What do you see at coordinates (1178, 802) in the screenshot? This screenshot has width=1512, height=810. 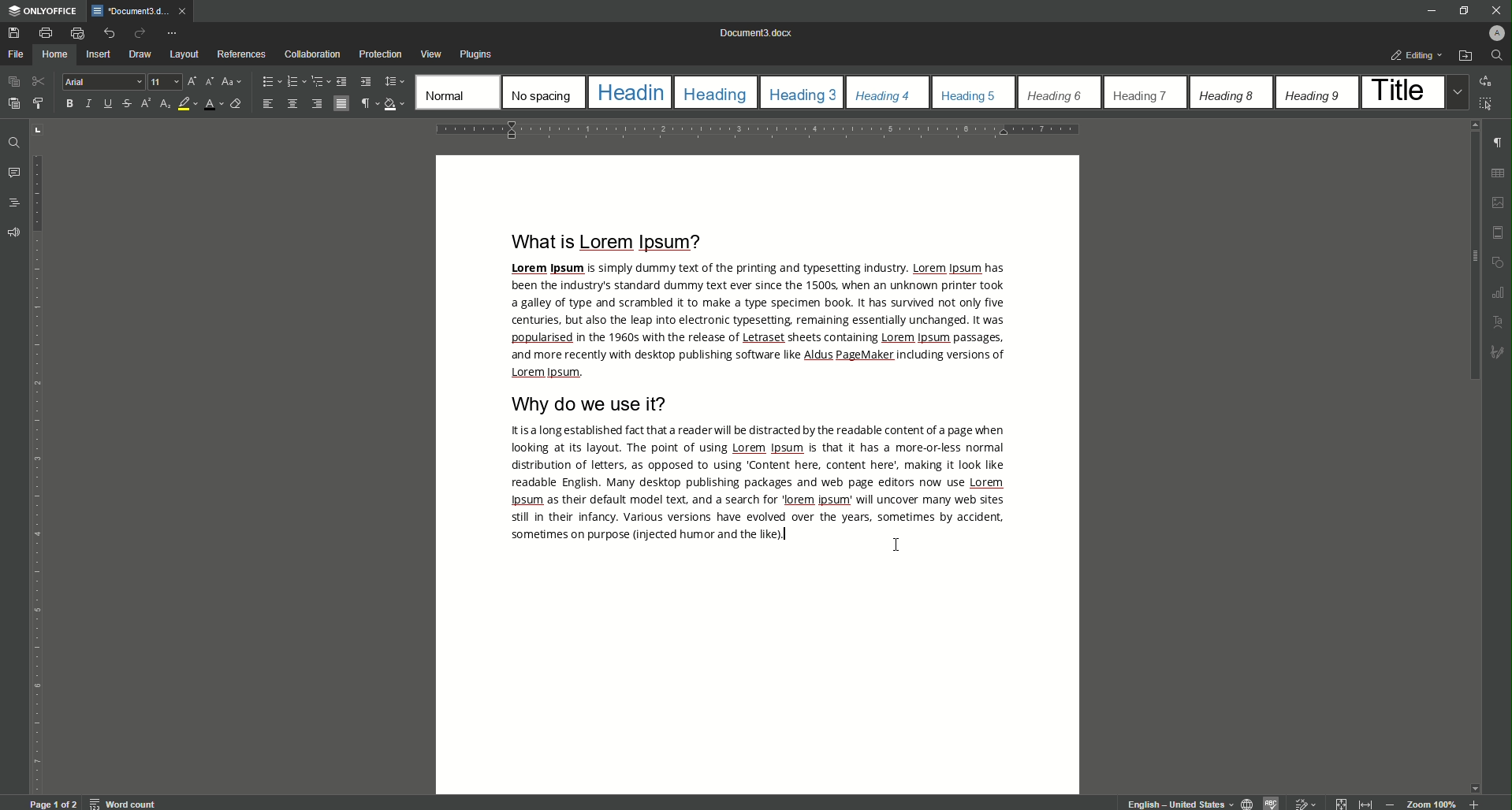 I see `English - United States` at bounding box center [1178, 802].